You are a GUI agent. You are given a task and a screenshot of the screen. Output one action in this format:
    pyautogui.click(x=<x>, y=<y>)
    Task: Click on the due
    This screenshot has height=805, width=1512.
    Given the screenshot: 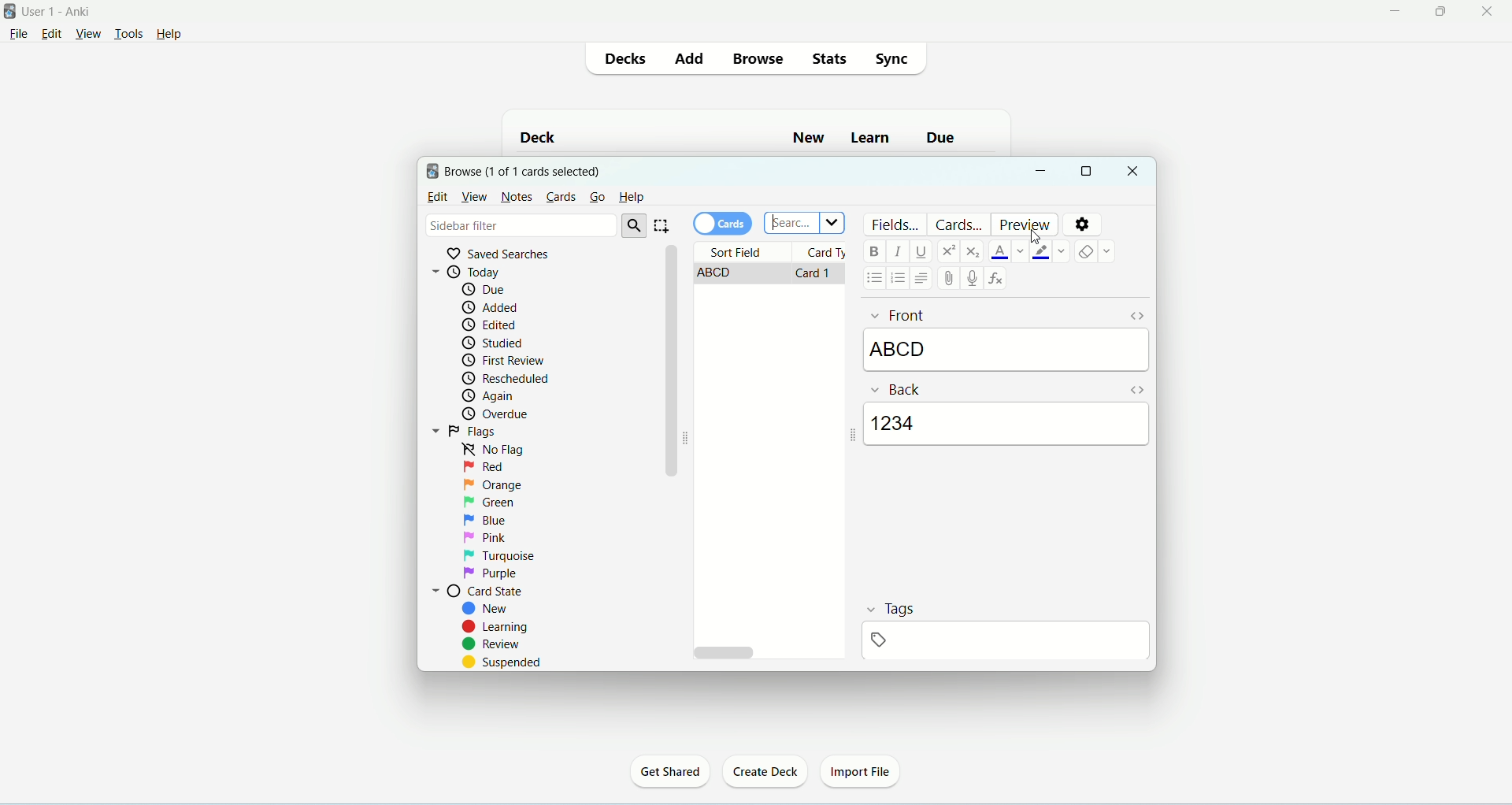 What is the action you would take?
    pyautogui.click(x=944, y=141)
    